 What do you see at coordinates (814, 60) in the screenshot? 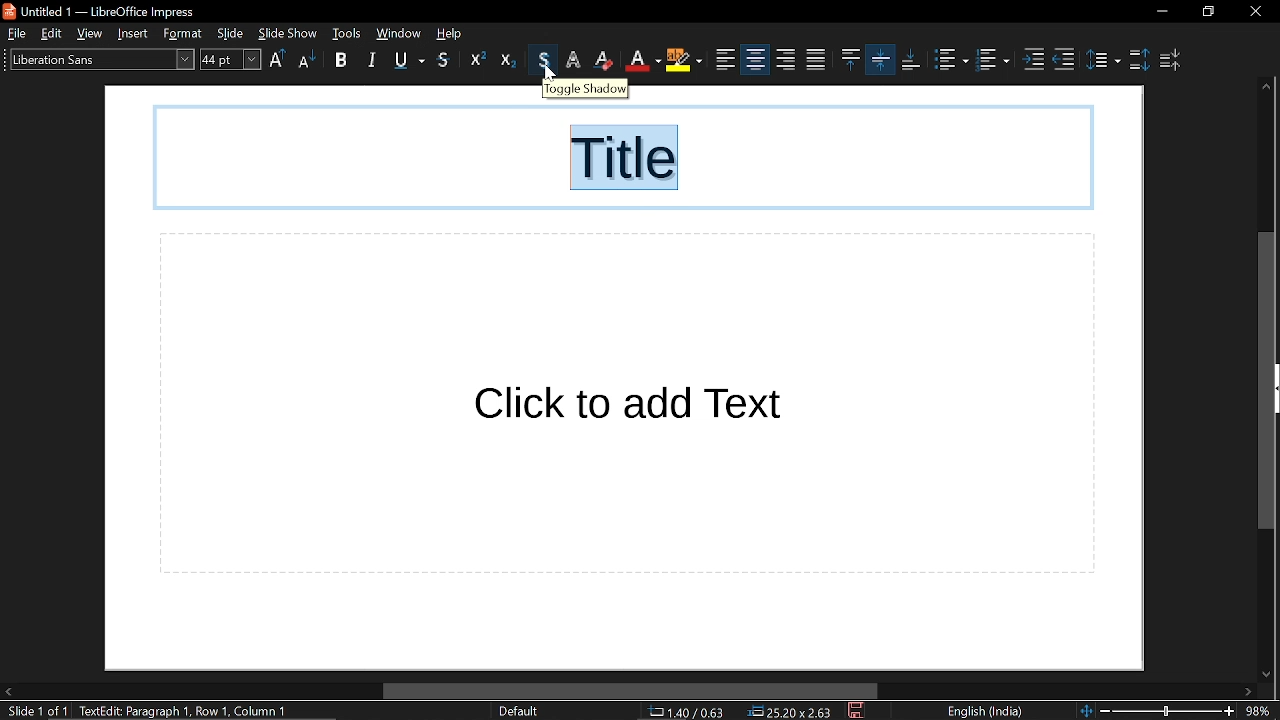
I see `align top` at bounding box center [814, 60].